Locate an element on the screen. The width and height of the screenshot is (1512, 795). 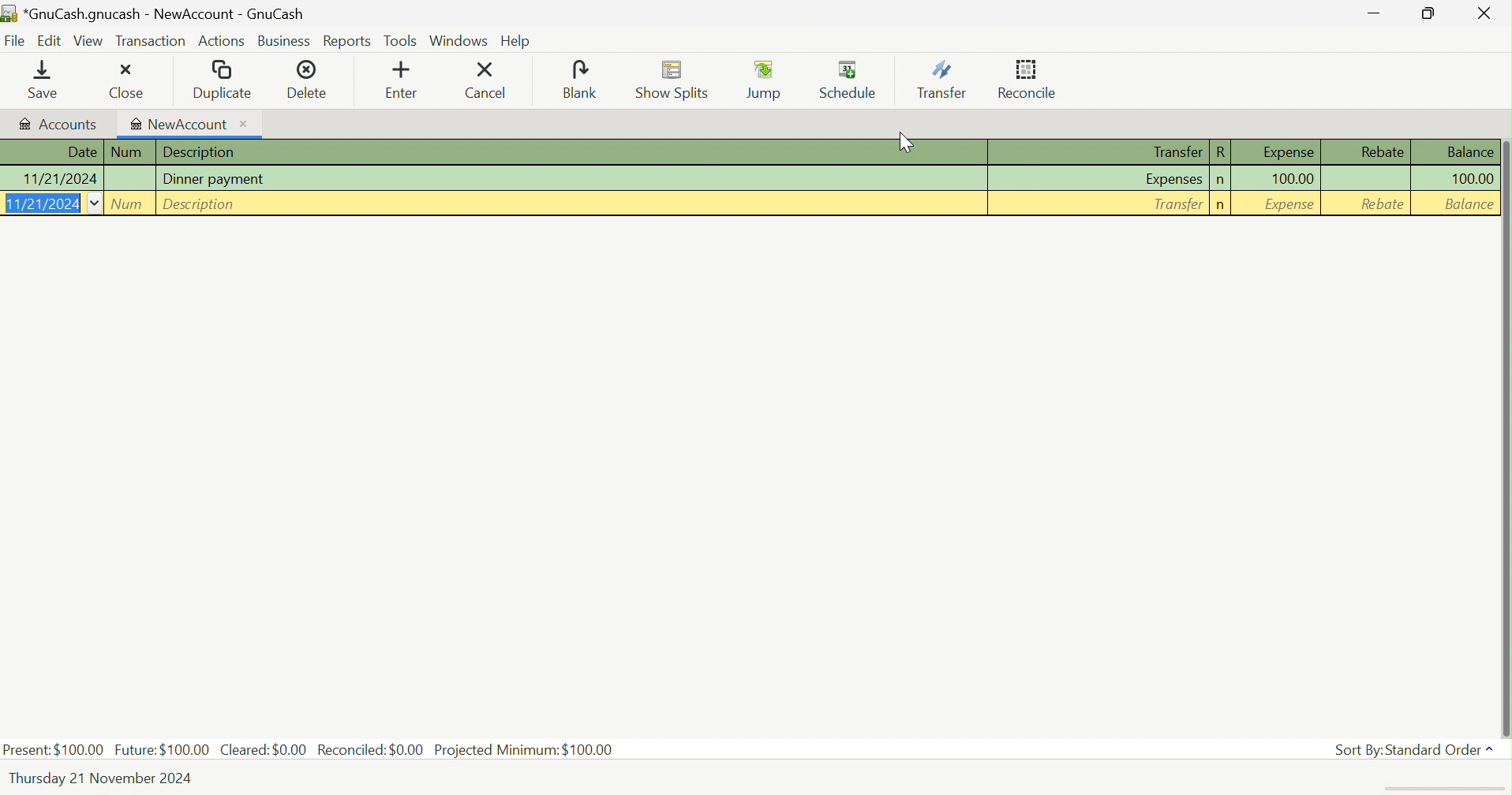
Actions is located at coordinates (223, 43).